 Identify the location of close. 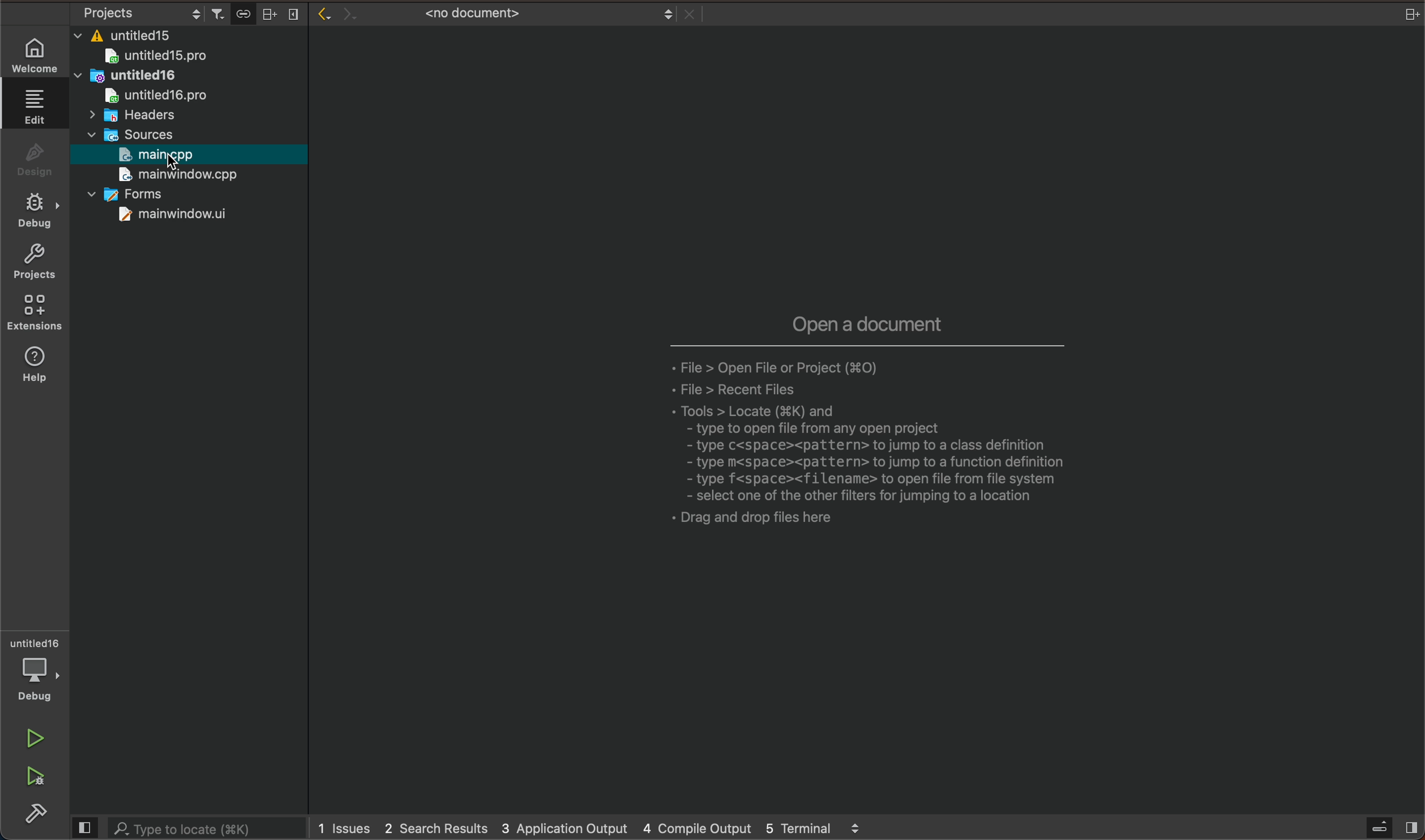
(1409, 14).